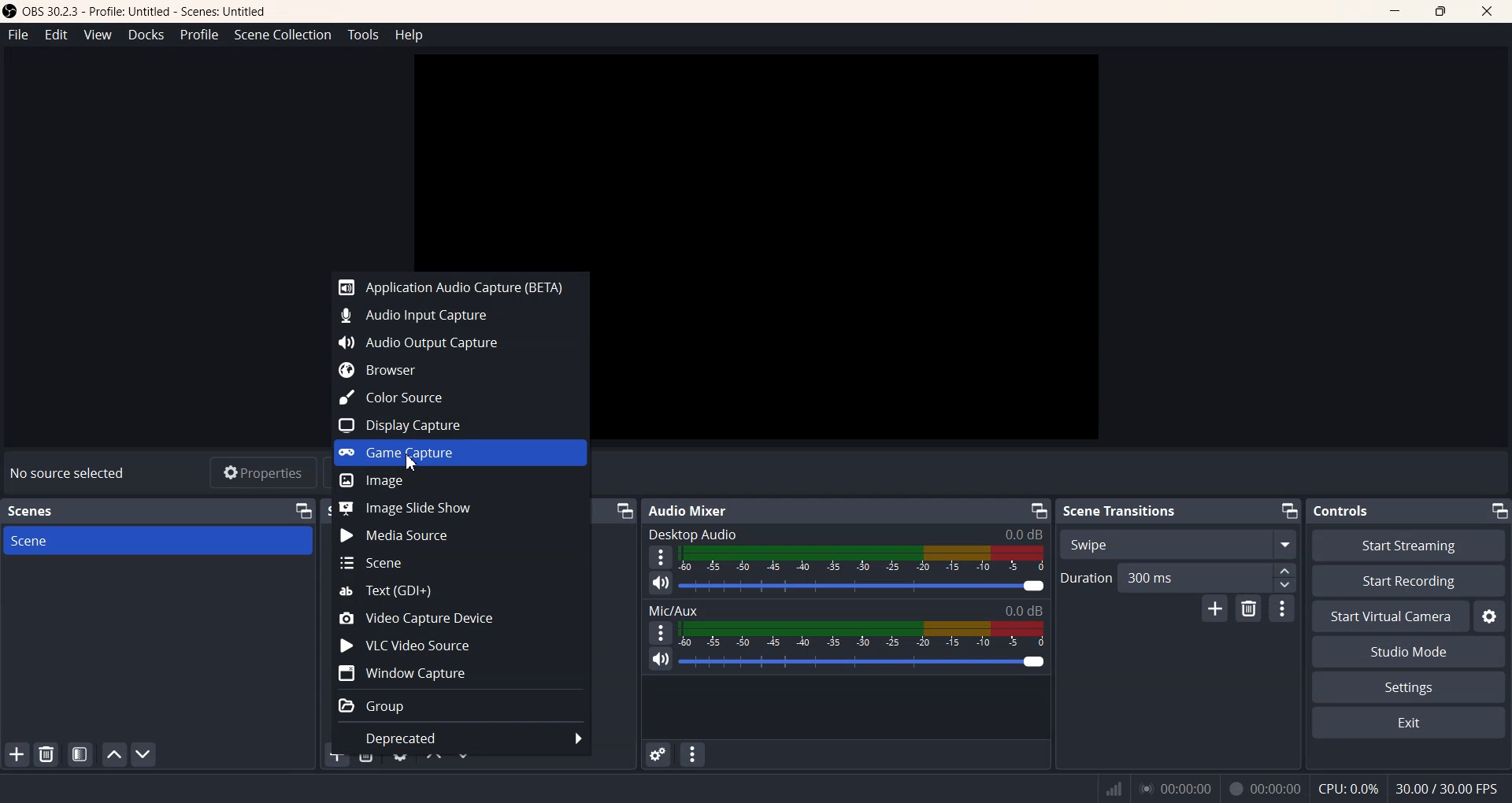 The width and height of the screenshot is (1512, 803). Describe the element at coordinates (846, 610) in the screenshot. I see `Text` at that location.